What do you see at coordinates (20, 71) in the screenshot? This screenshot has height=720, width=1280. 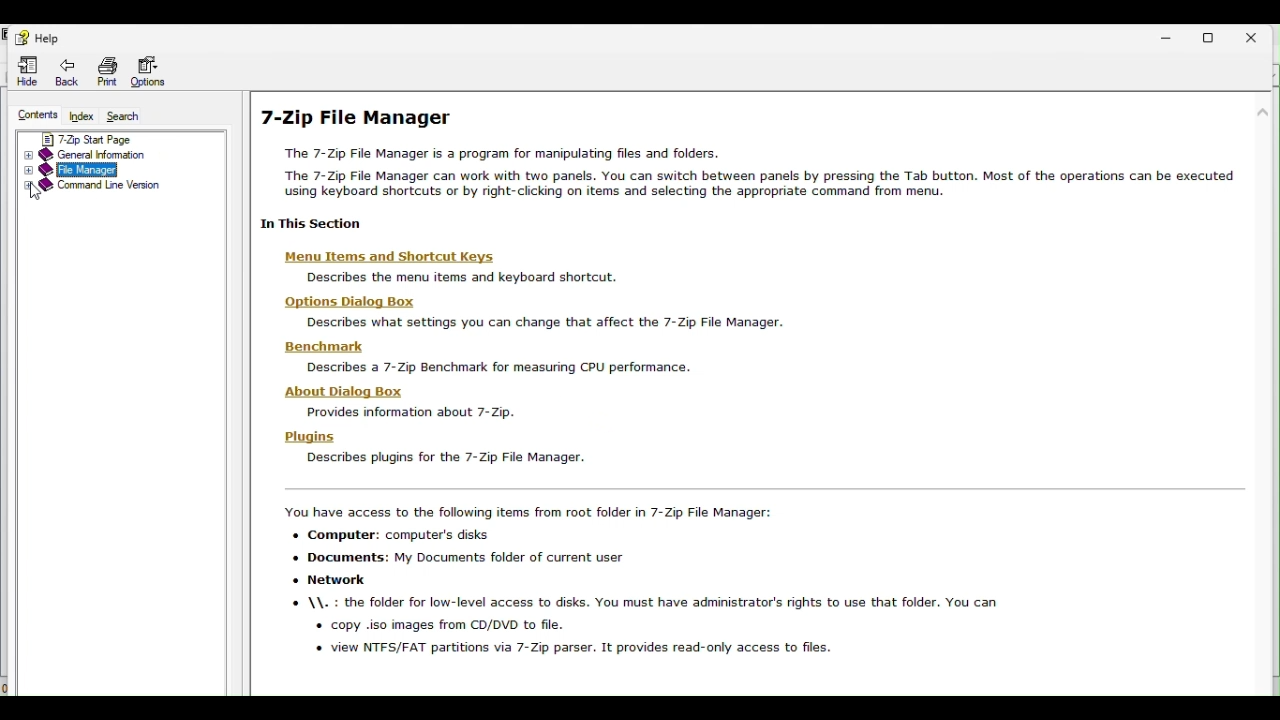 I see `Hide` at bounding box center [20, 71].